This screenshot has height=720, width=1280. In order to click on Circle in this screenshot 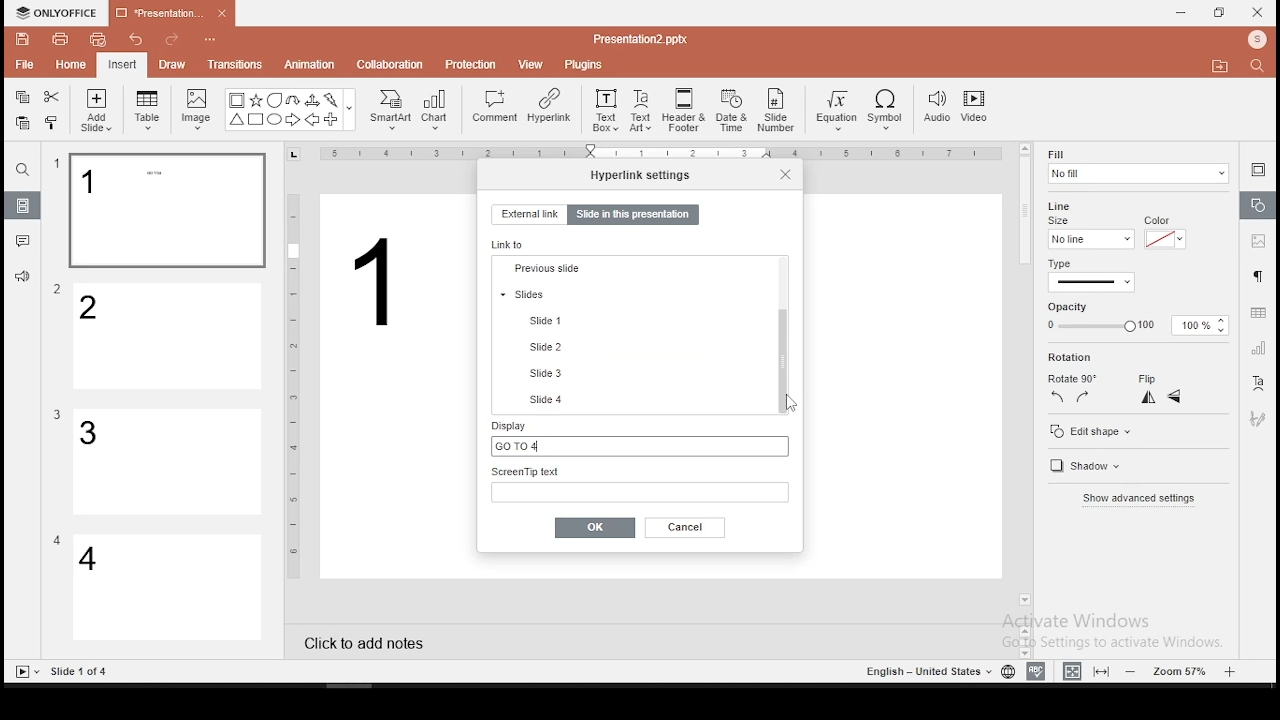, I will do `click(276, 119)`.